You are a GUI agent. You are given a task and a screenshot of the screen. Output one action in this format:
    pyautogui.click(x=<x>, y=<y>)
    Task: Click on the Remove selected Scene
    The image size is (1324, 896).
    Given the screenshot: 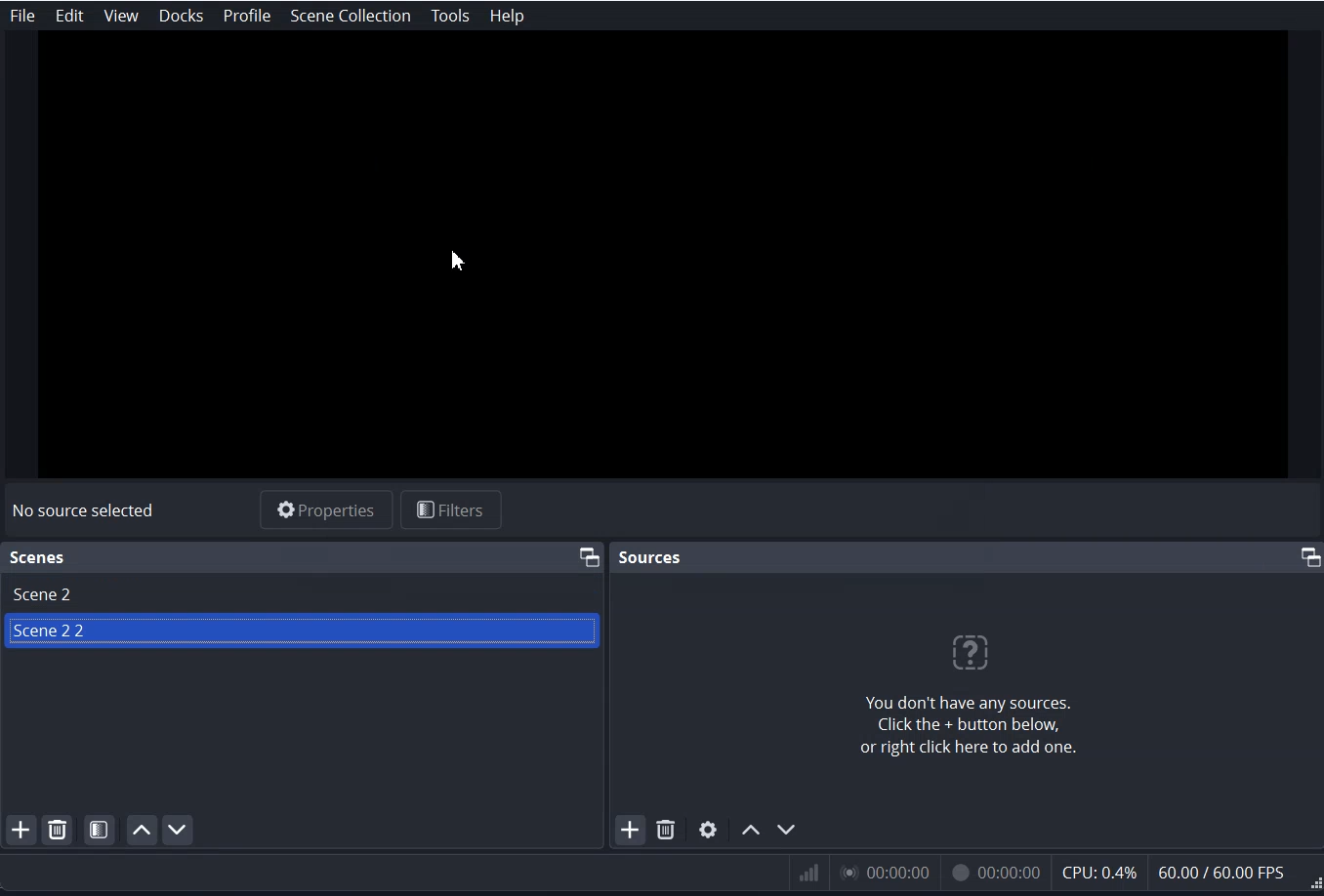 What is the action you would take?
    pyautogui.click(x=58, y=830)
    